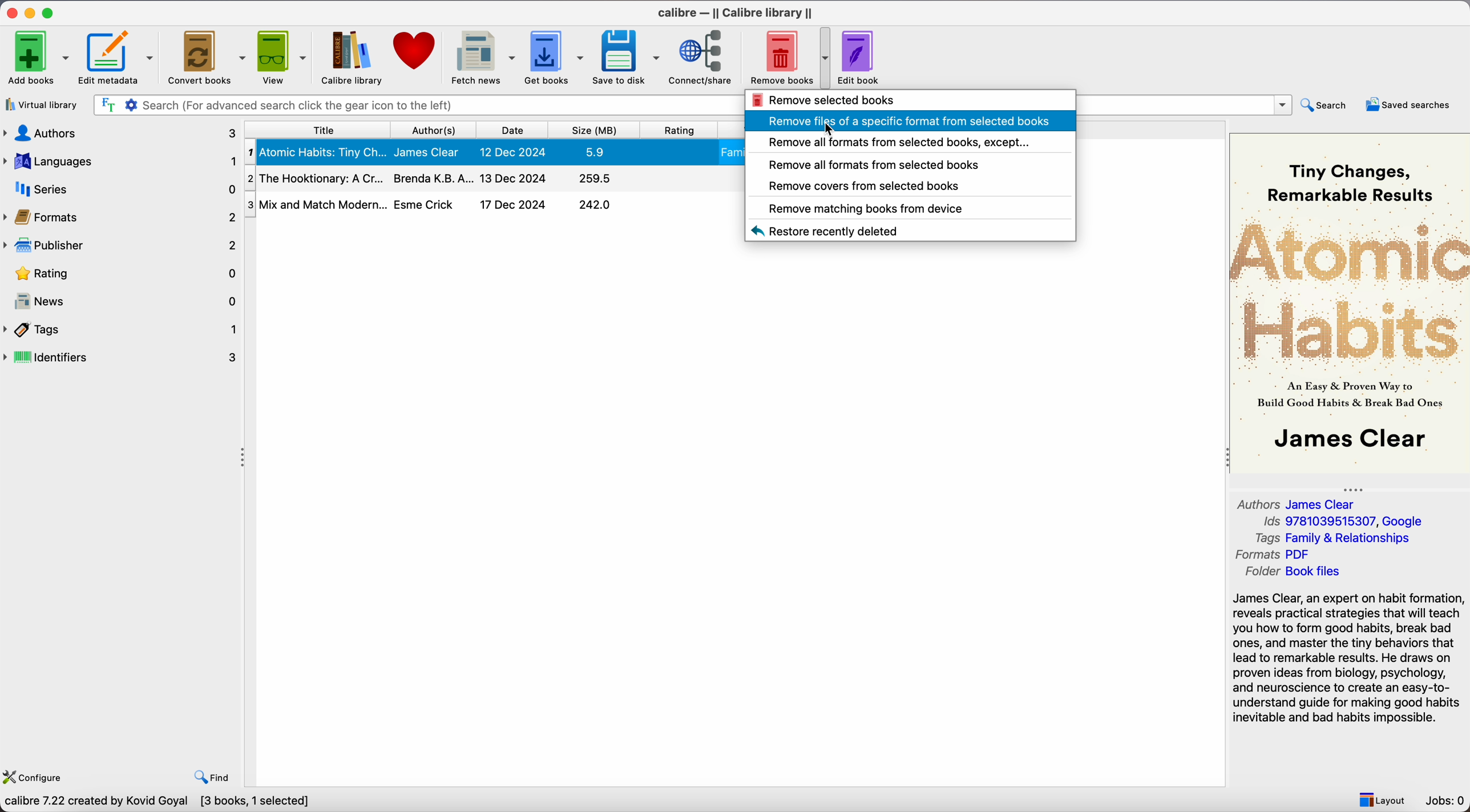 This screenshot has height=812, width=1470. What do you see at coordinates (415, 49) in the screenshot?
I see `donate` at bounding box center [415, 49].